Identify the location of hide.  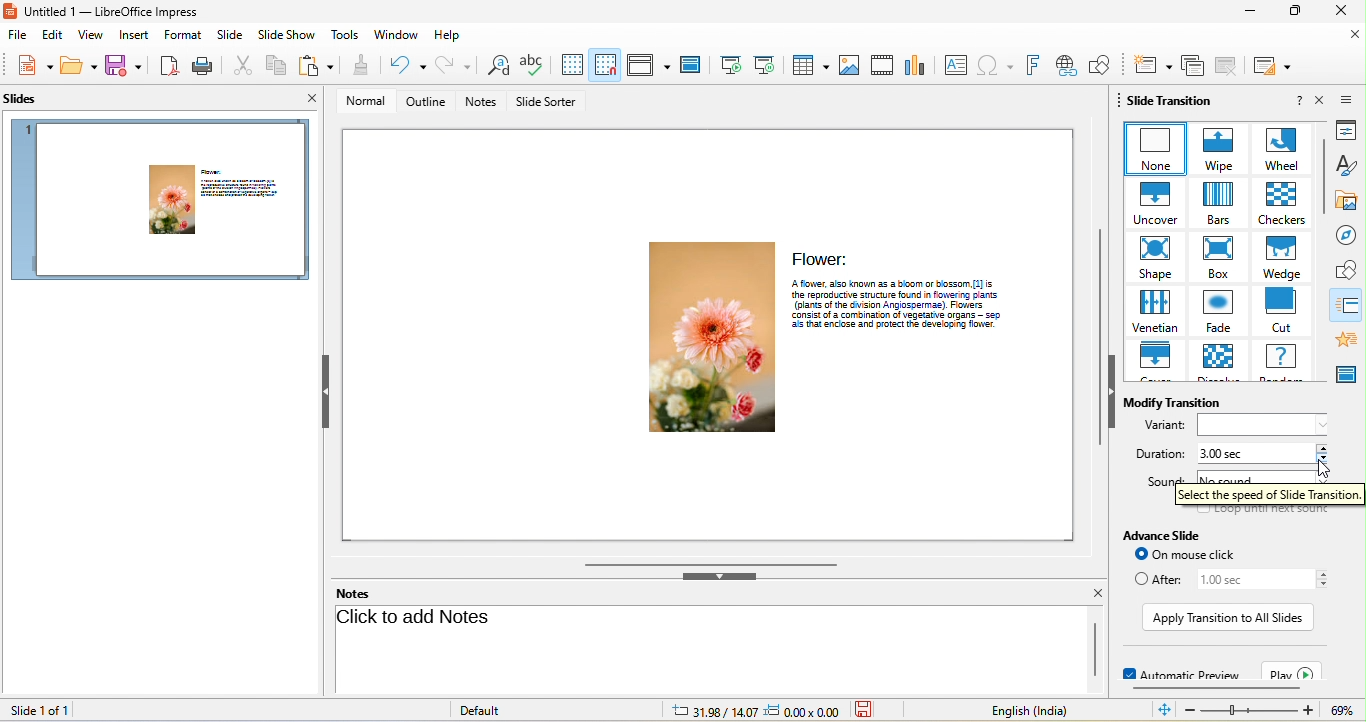
(717, 577).